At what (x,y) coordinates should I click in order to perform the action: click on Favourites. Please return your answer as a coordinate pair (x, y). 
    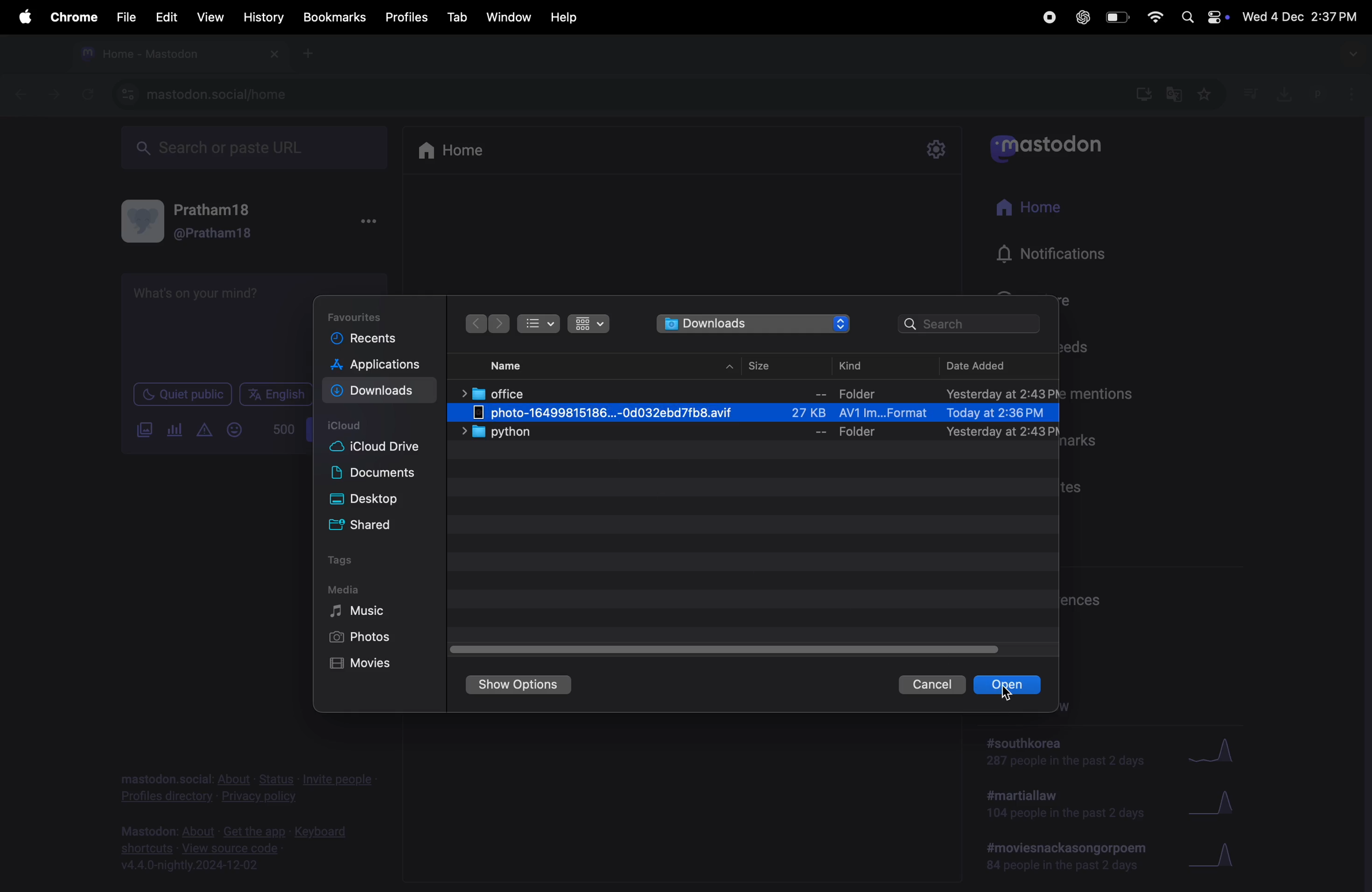
    Looking at the image, I should click on (363, 315).